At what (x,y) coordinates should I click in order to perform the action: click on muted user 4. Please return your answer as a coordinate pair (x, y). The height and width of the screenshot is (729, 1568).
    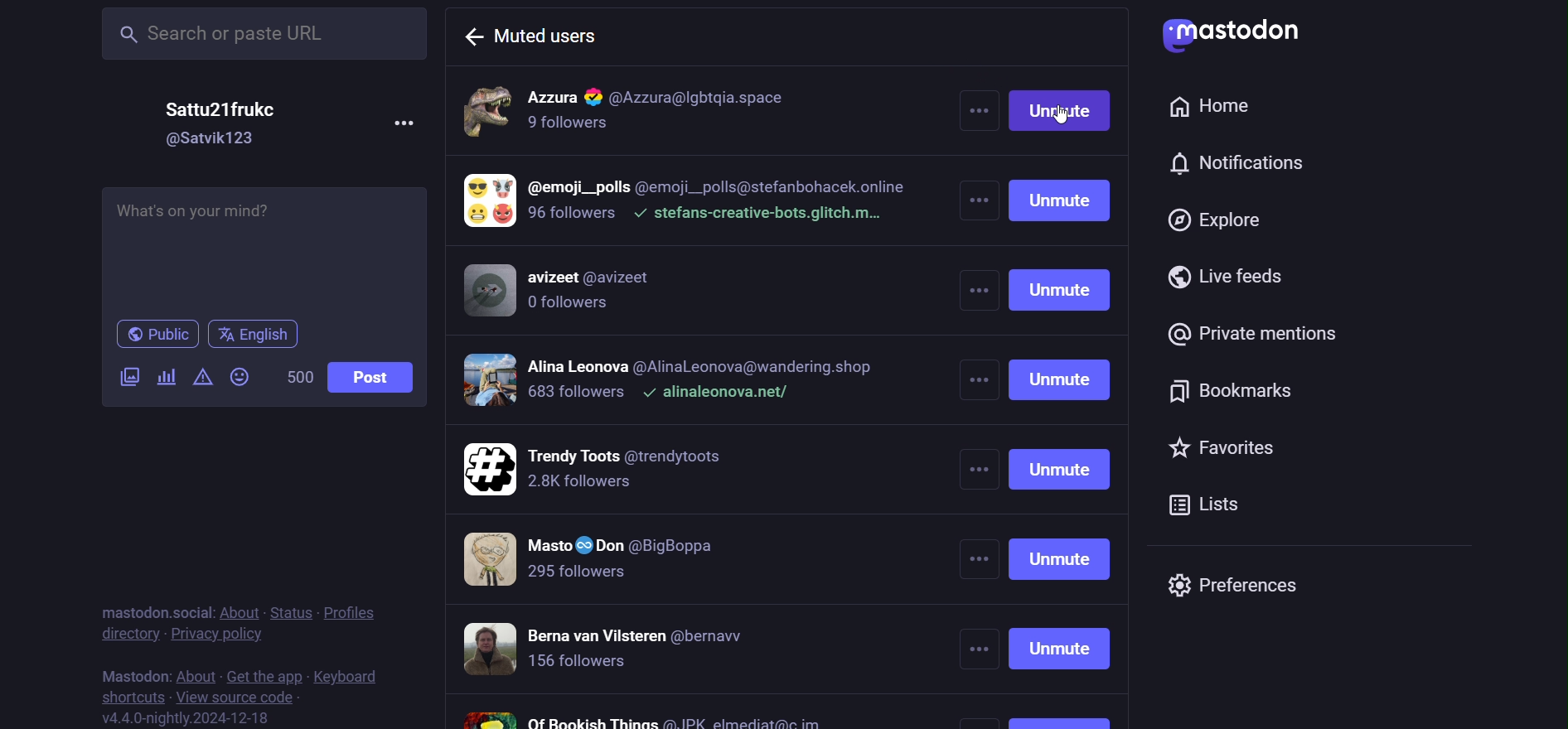
    Looking at the image, I should click on (672, 384).